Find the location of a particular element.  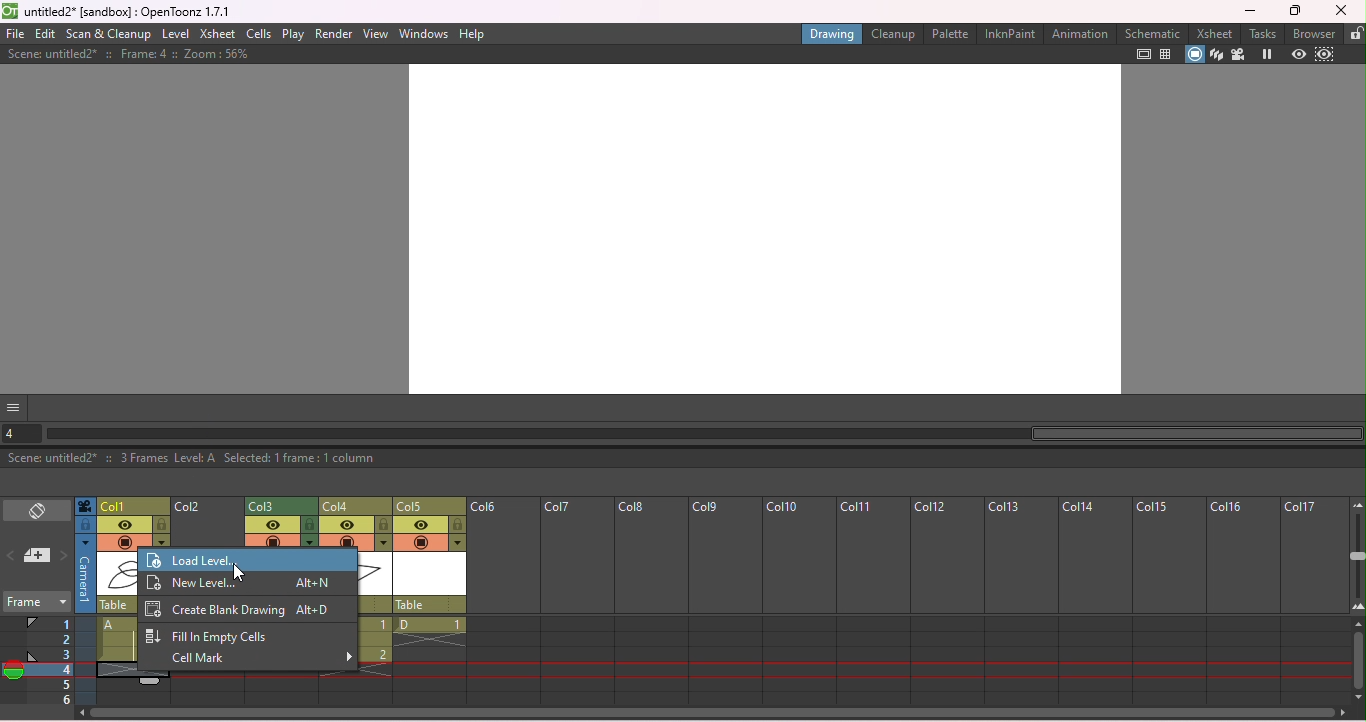

Cleanup is located at coordinates (896, 33).